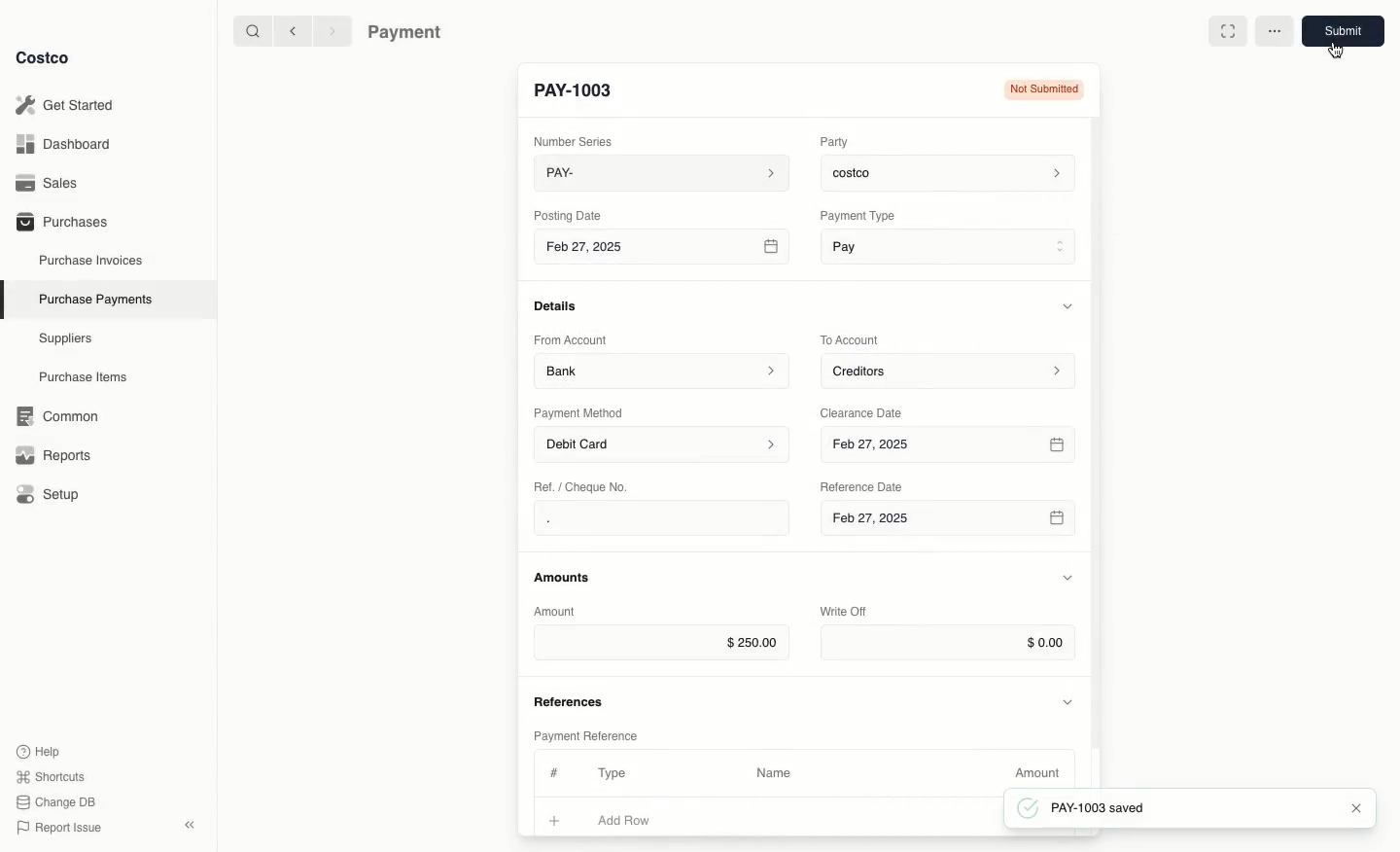 This screenshot has height=852, width=1400. Describe the element at coordinates (38, 750) in the screenshot. I see `Help` at that location.